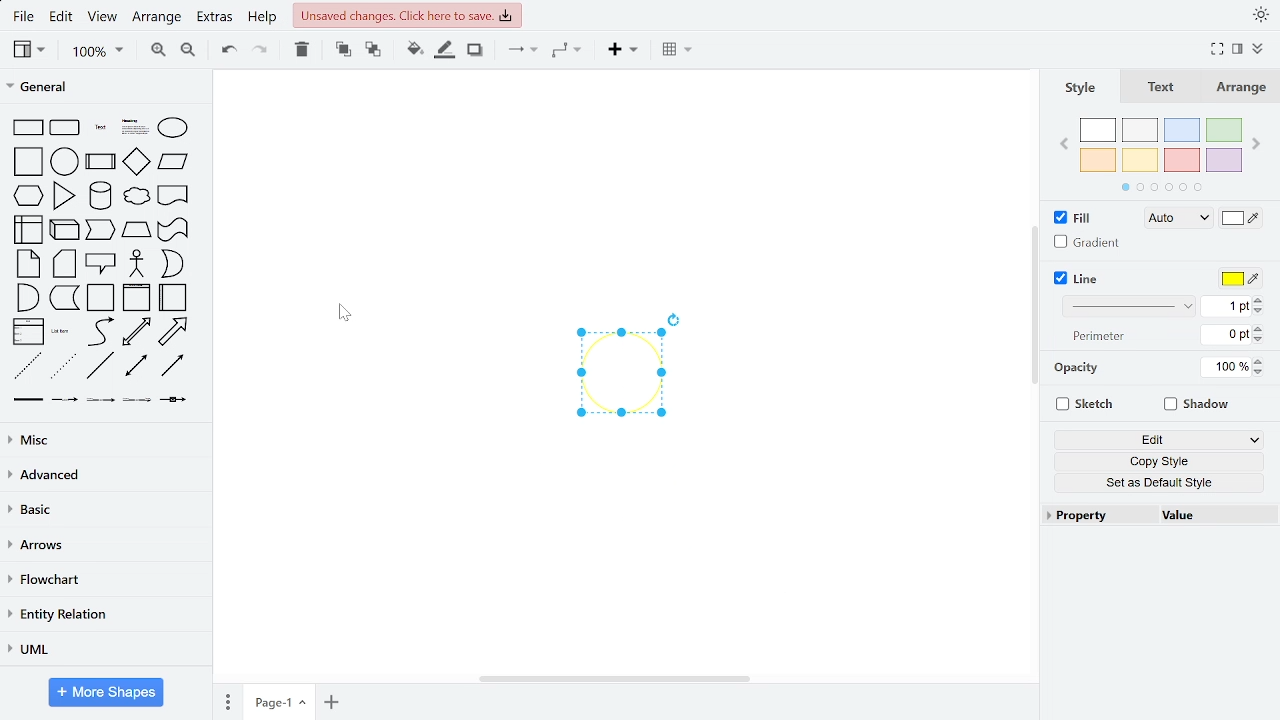 This screenshot has height=720, width=1280. What do you see at coordinates (1261, 299) in the screenshot?
I see `increase line width` at bounding box center [1261, 299].